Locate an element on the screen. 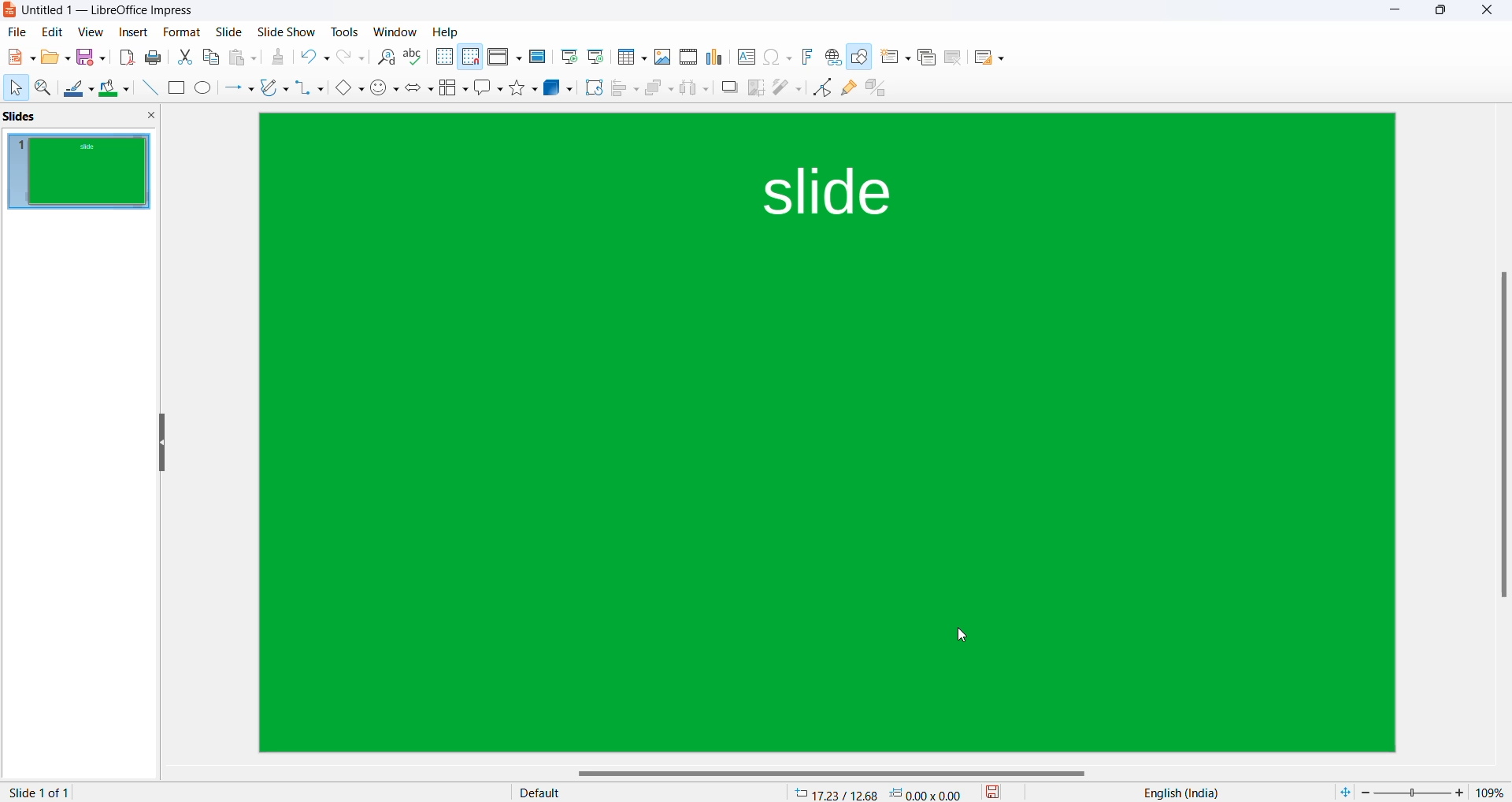 The height and width of the screenshot is (802, 1512). align is located at coordinates (625, 89).